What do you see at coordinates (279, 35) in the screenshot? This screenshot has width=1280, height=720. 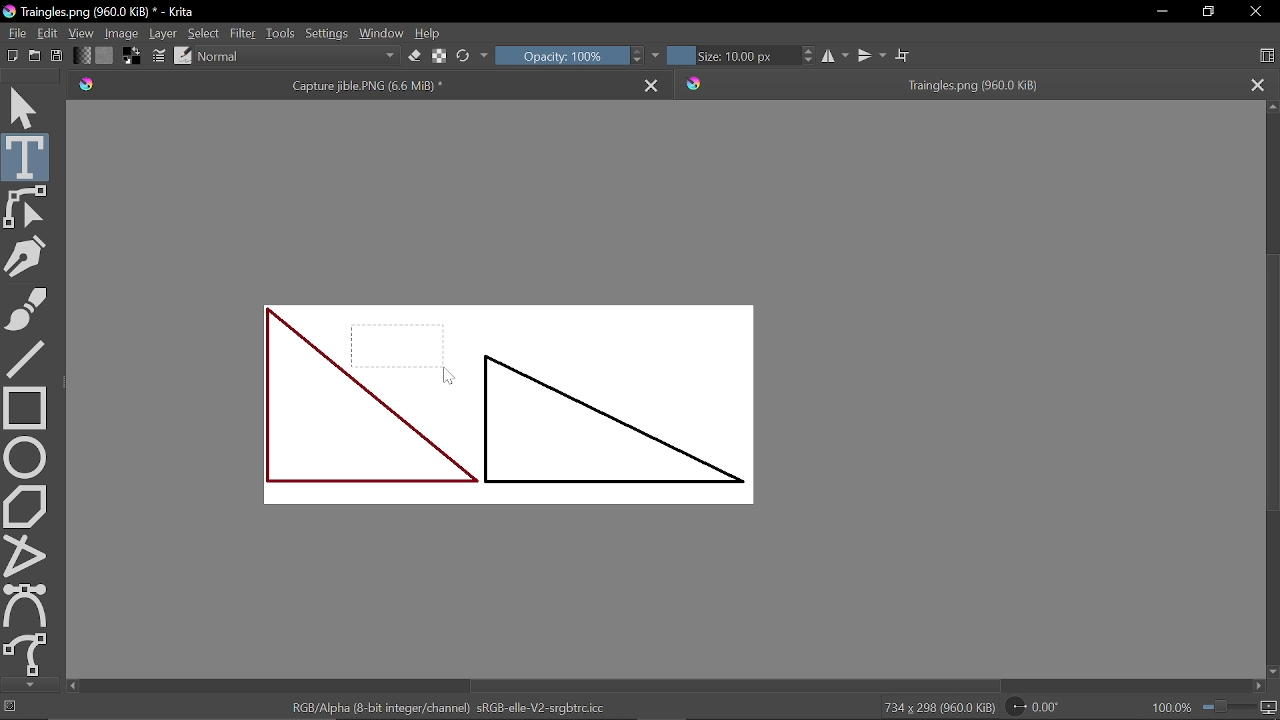 I see `Tools` at bounding box center [279, 35].